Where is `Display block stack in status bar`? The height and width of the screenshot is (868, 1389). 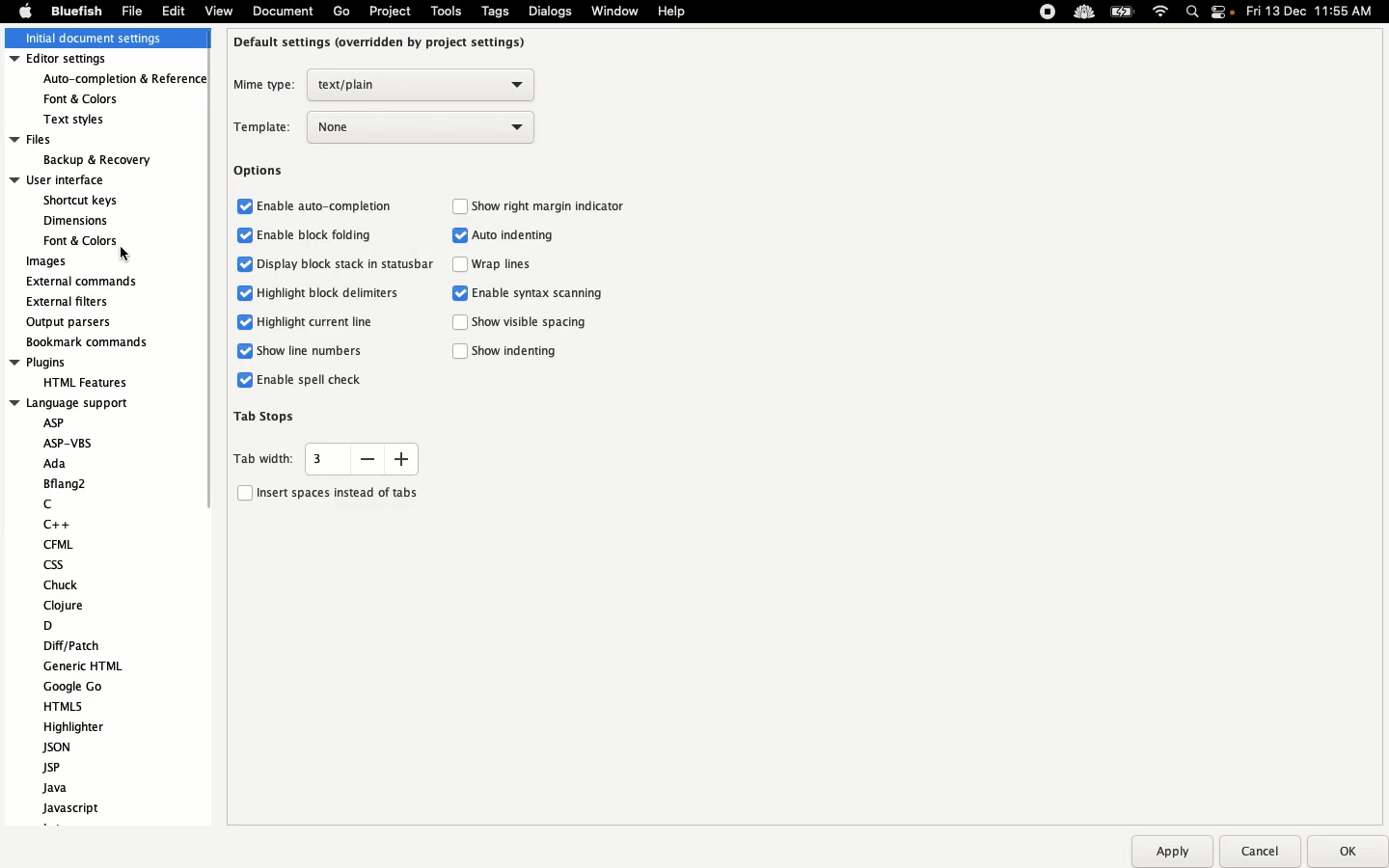
Display block stack in status bar is located at coordinates (337, 265).